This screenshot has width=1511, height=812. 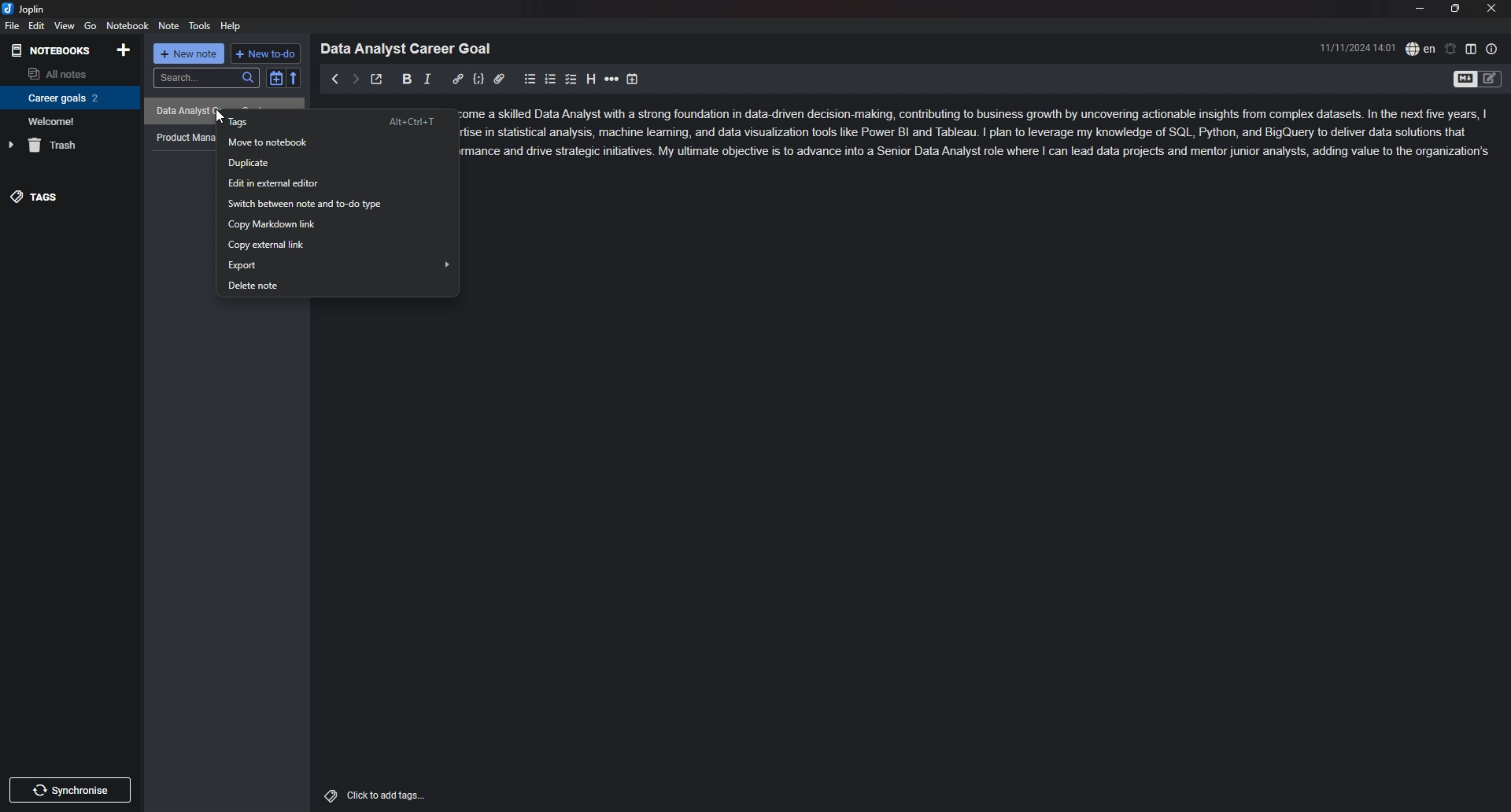 I want to click on switch between note and to-do type, so click(x=340, y=204).